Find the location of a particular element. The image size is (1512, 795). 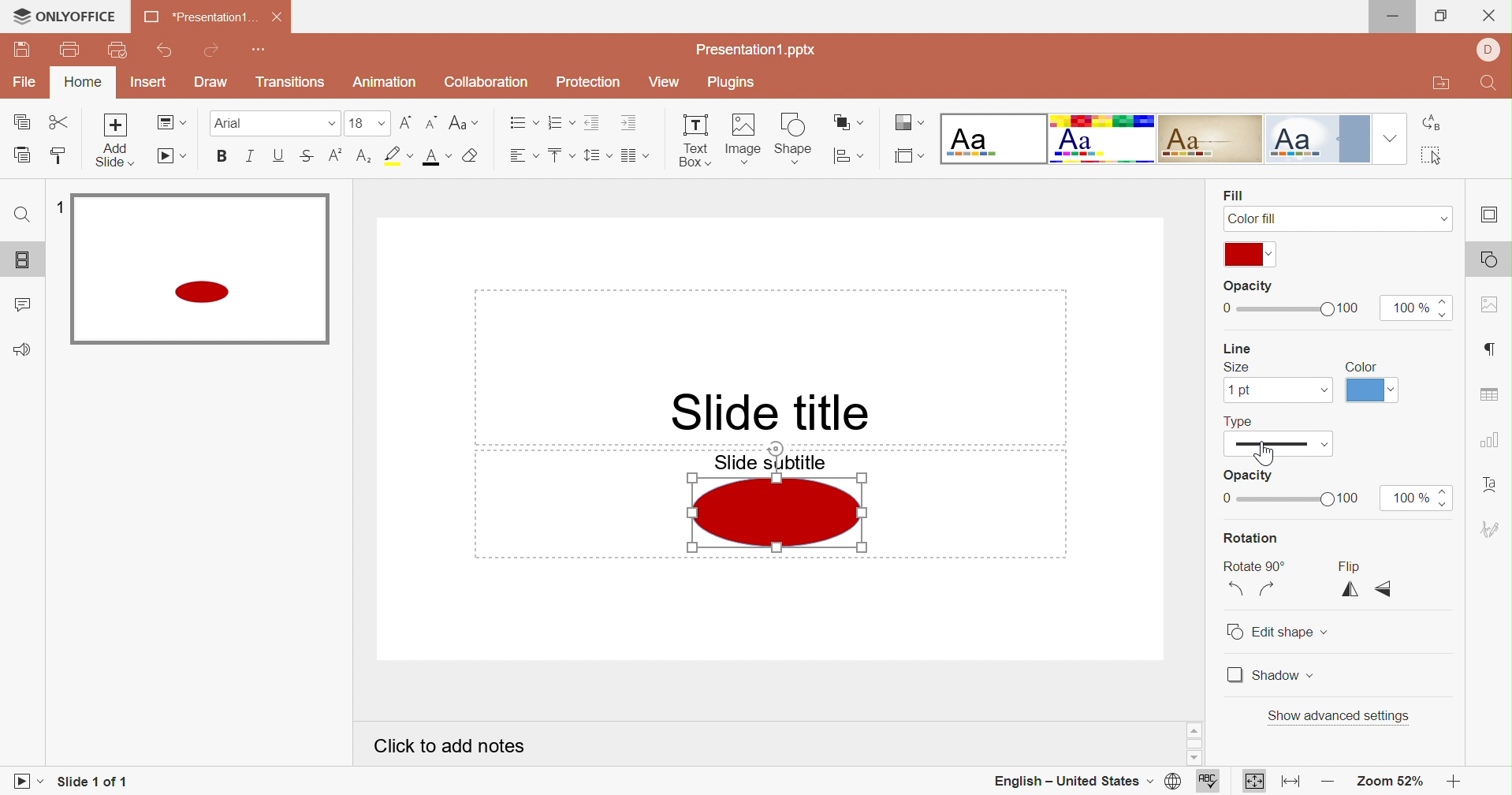

Comments is located at coordinates (24, 305).